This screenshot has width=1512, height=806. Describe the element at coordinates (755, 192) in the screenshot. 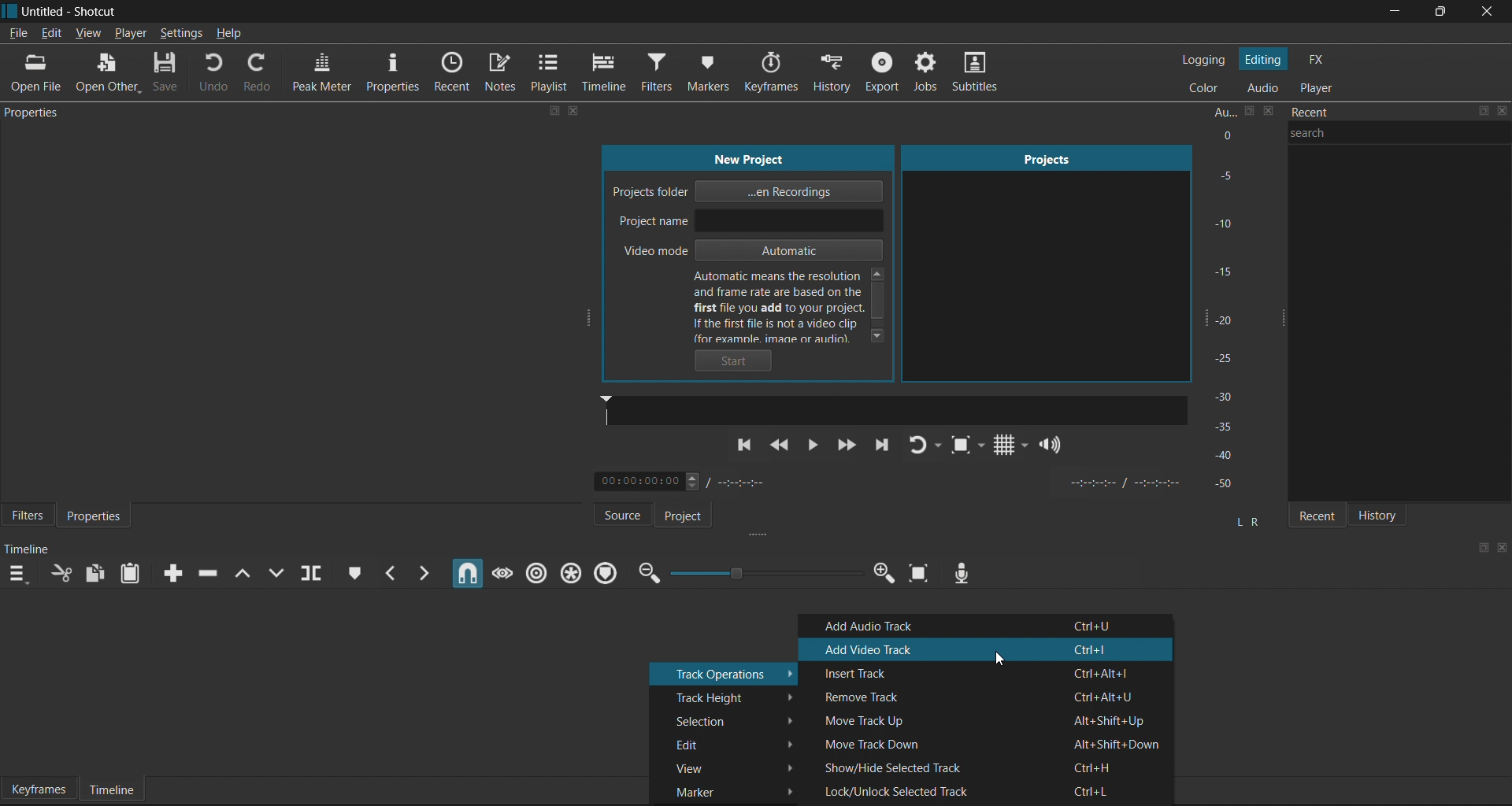

I see `Project folder` at that location.